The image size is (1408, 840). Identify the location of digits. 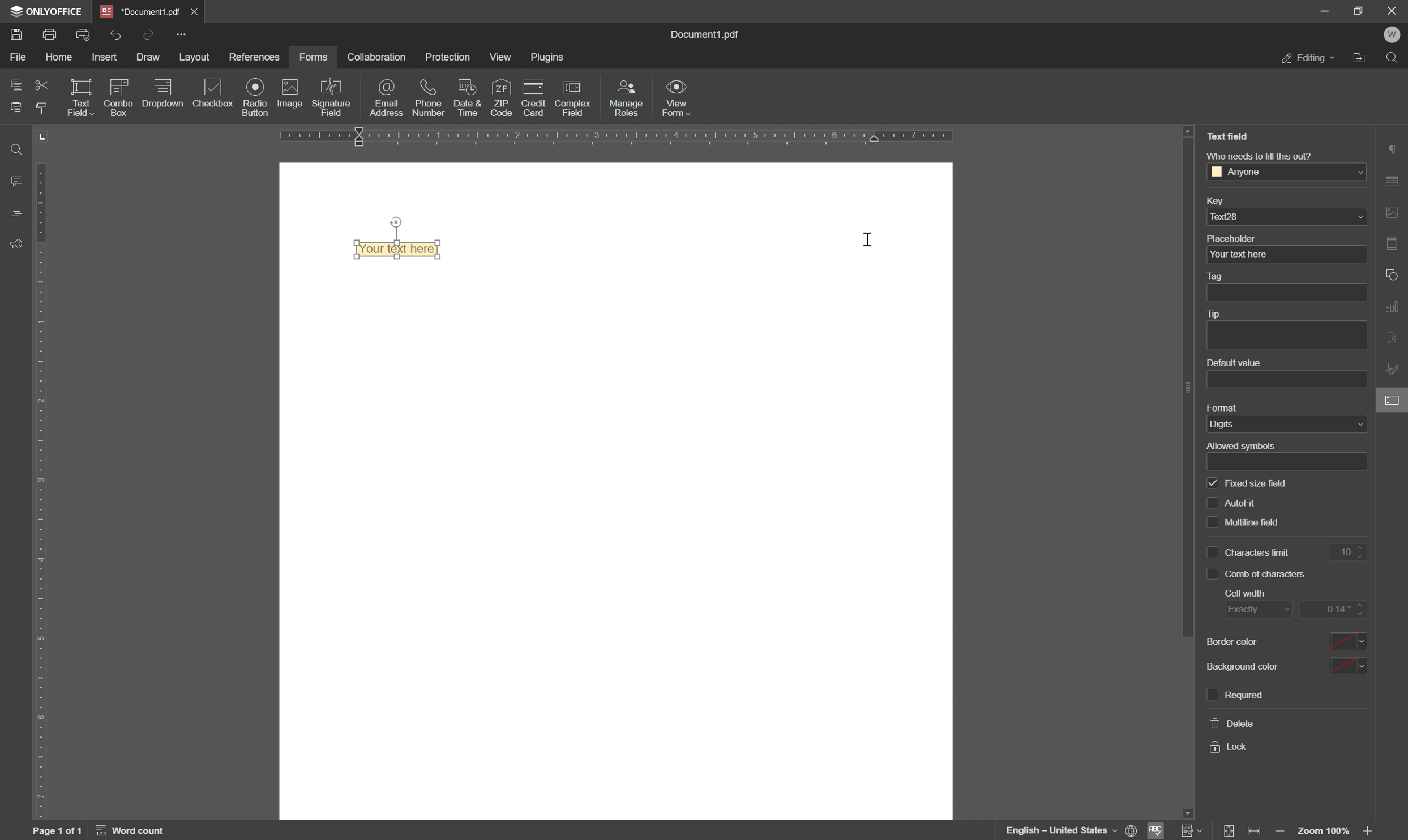
(1285, 424).